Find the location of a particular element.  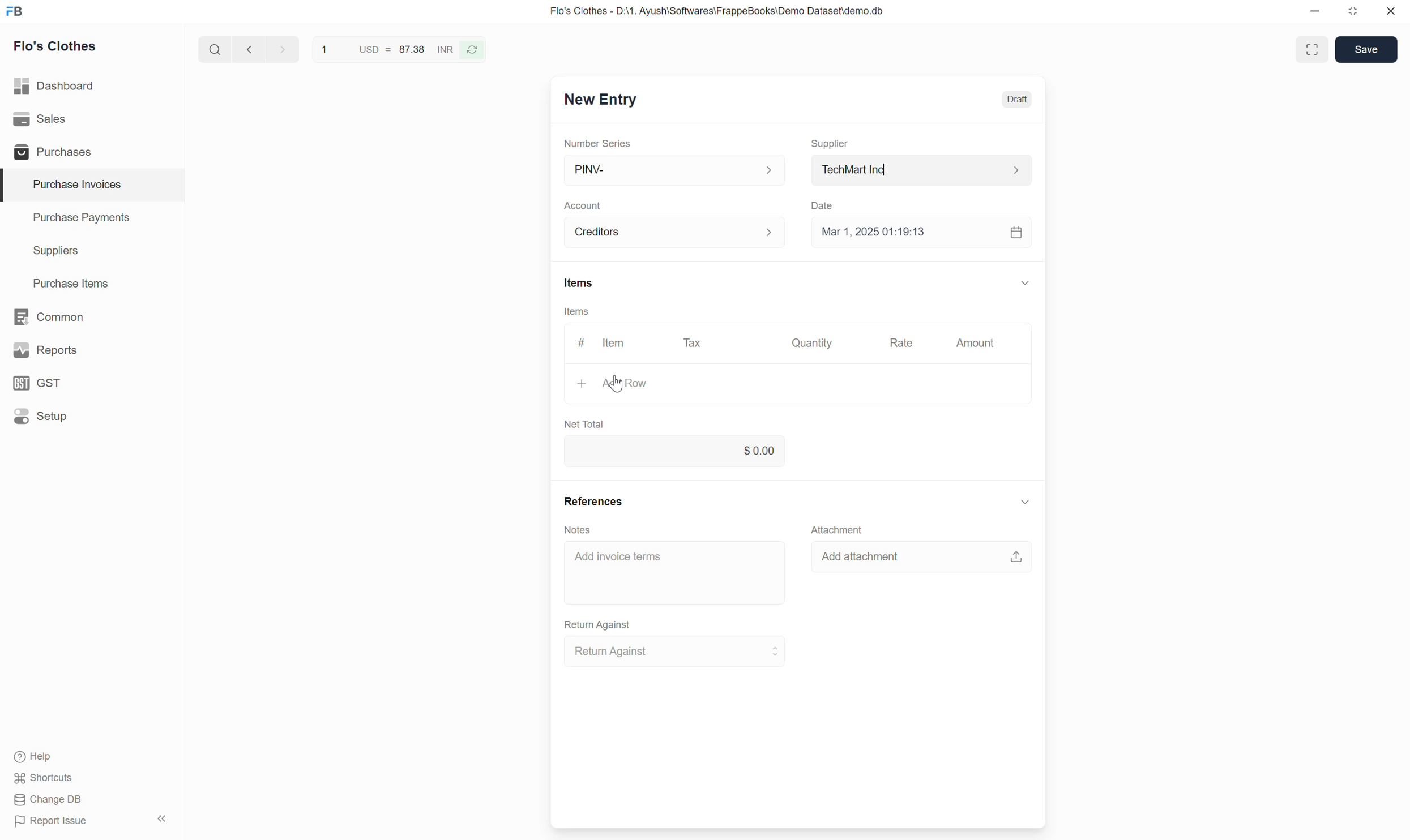

Change DB is located at coordinates (48, 800).